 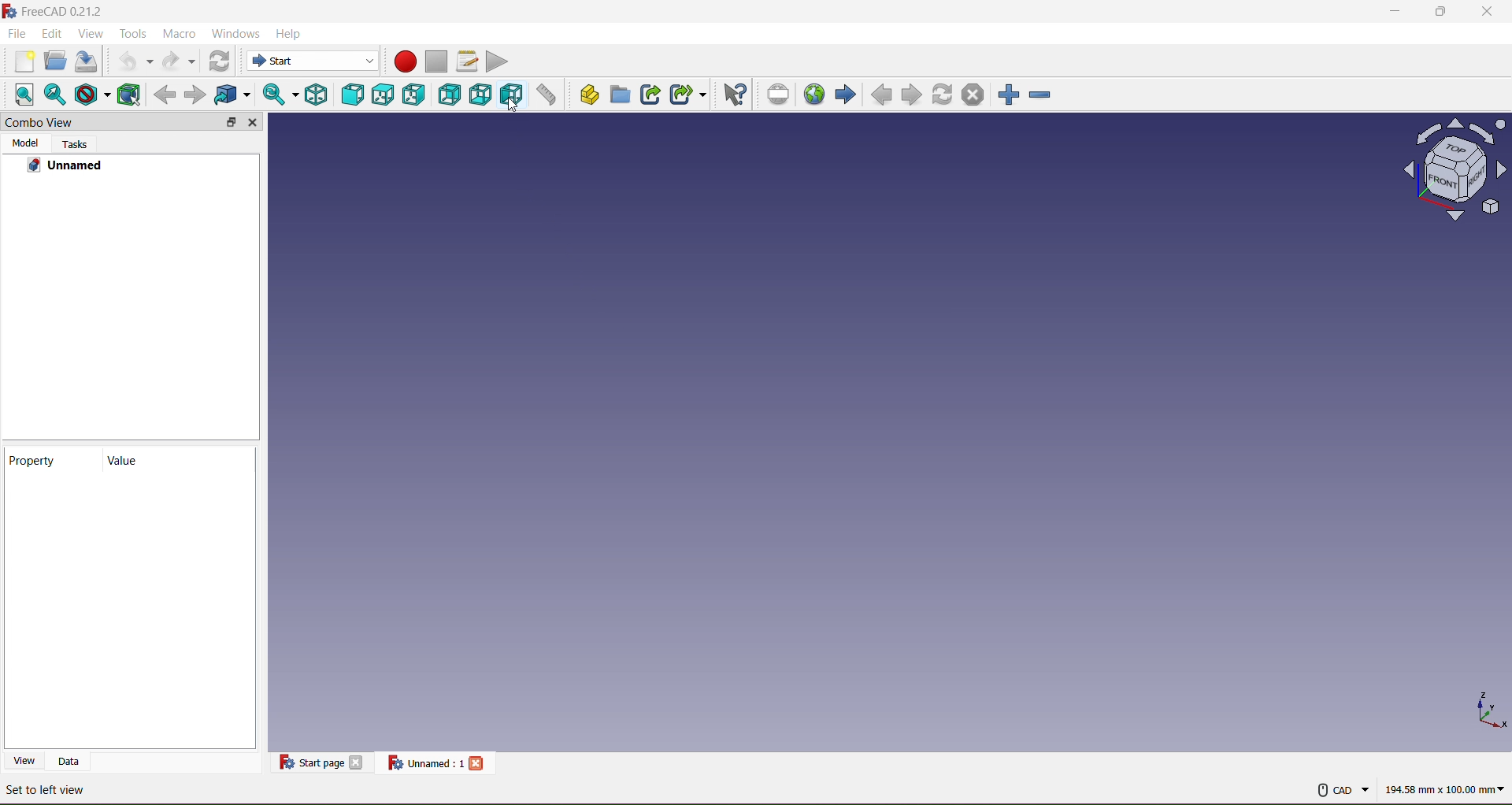 I want to click on Play Macro, so click(x=497, y=61).